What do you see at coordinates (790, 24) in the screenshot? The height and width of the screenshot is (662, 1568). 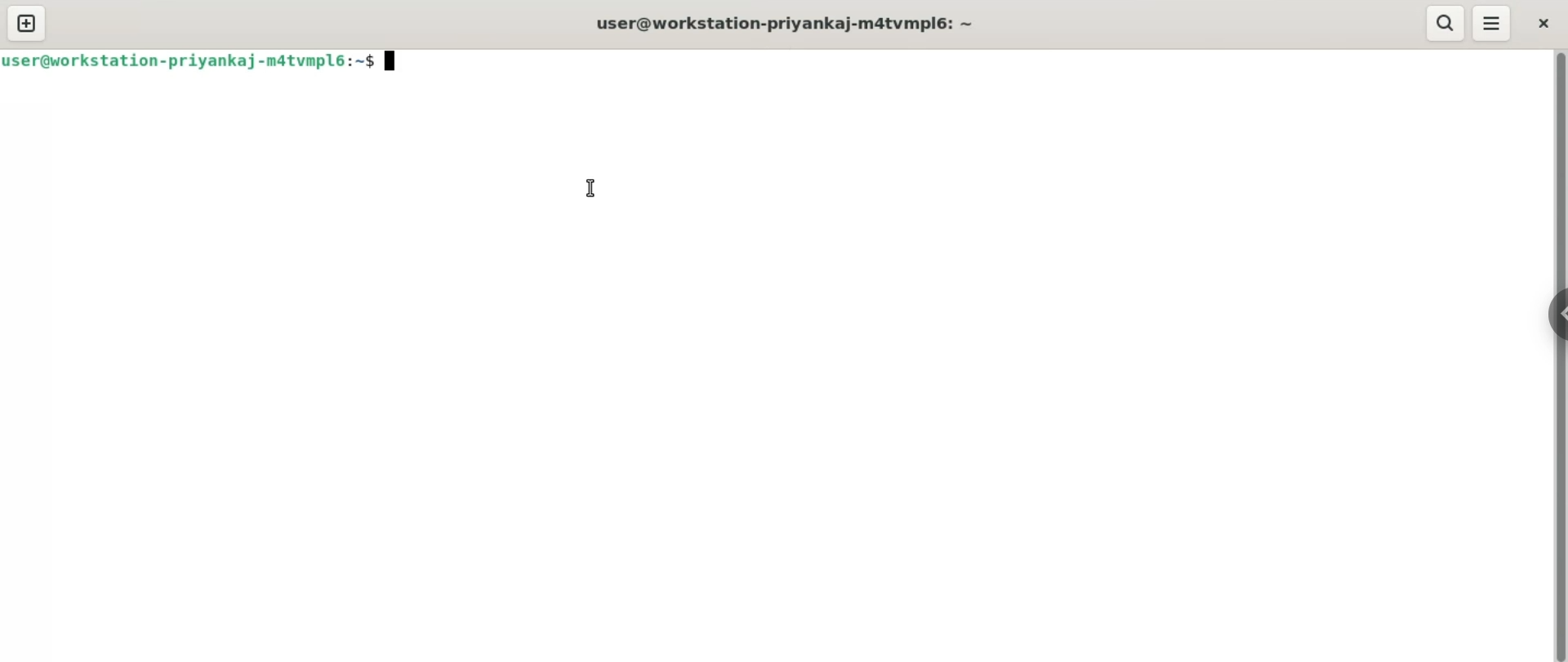 I see ` user@workstation-priyanka-m4tvmpl6:~` at bounding box center [790, 24].